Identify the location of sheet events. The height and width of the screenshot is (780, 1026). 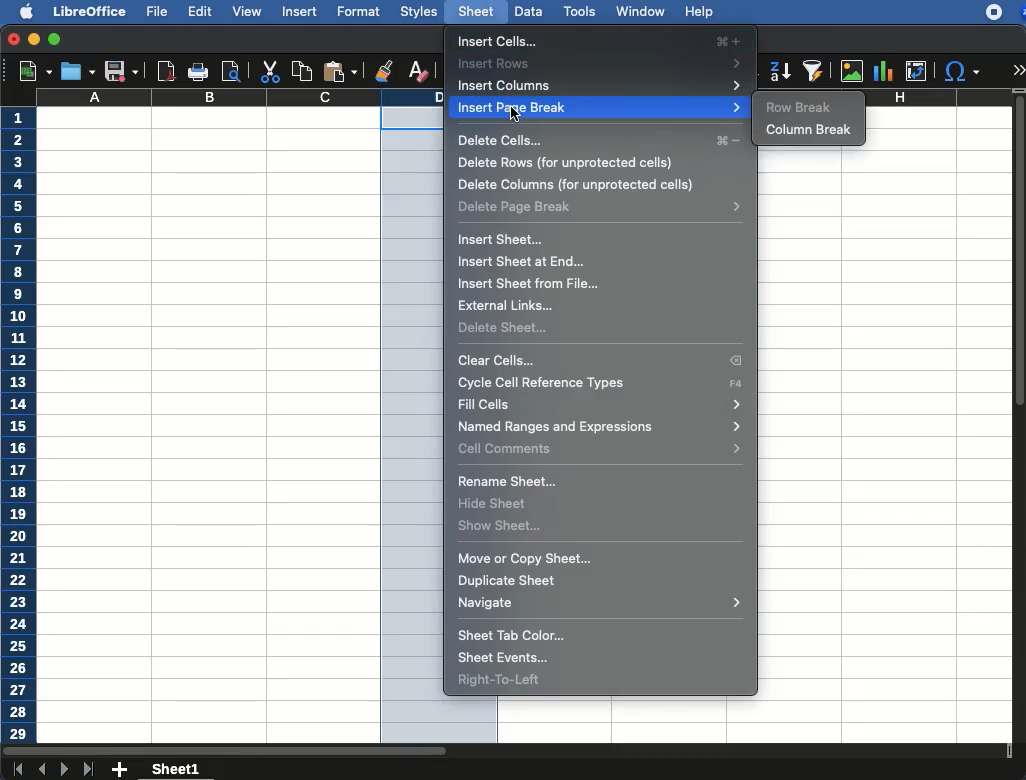
(502, 658).